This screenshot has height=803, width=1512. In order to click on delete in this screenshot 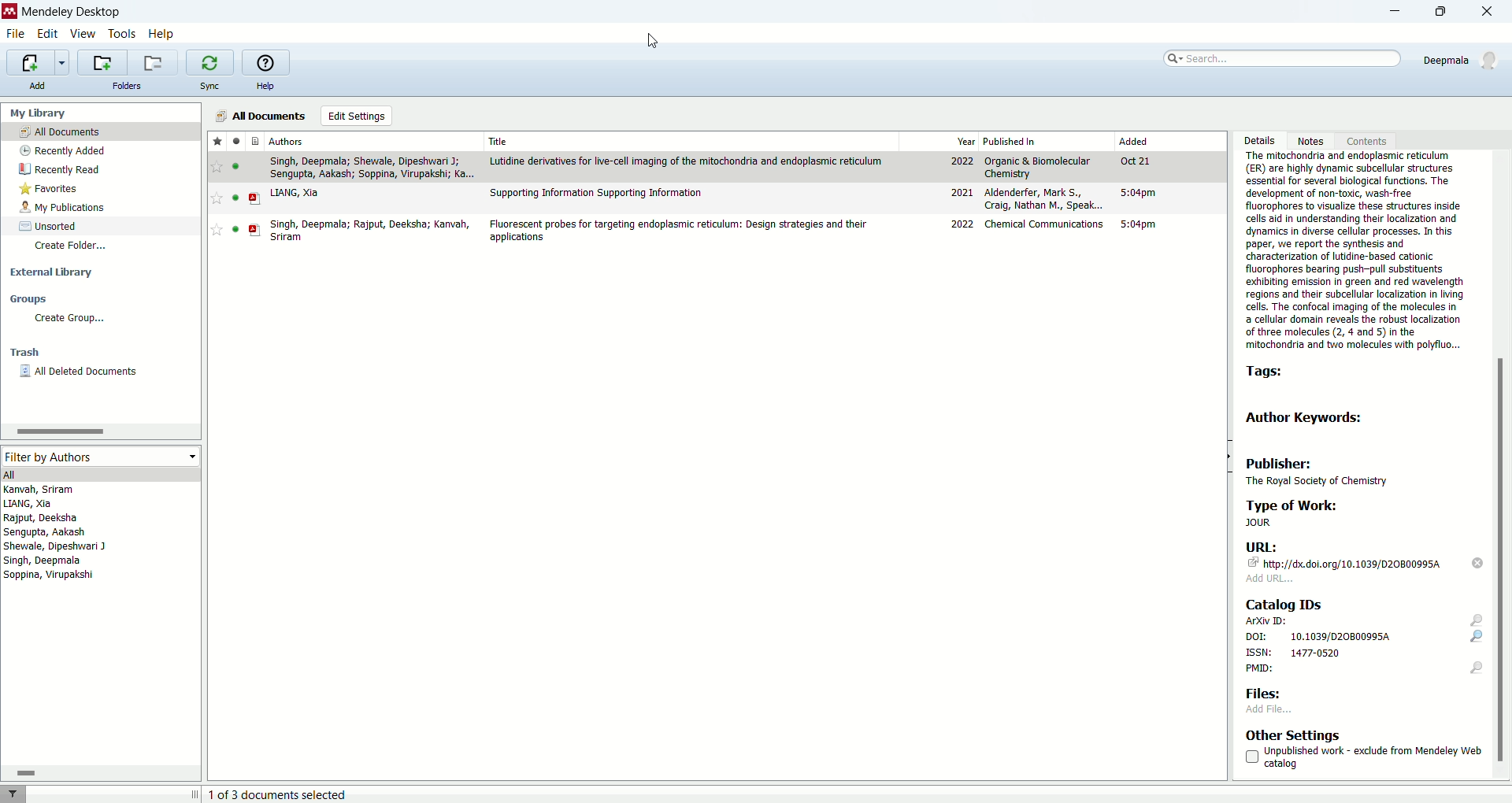, I will do `click(1479, 563)`.